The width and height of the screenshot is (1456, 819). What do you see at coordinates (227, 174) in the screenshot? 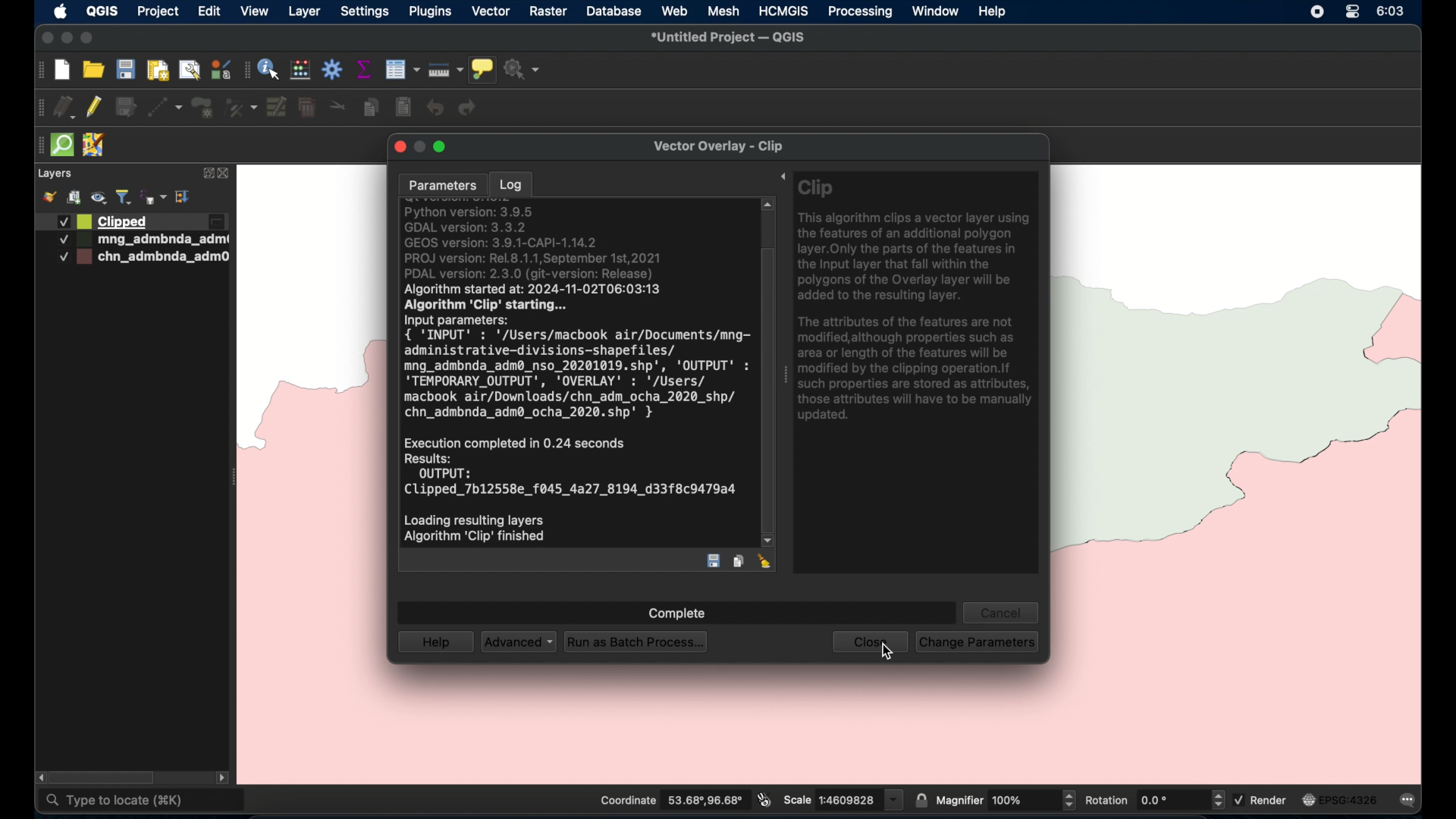
I see `close` at bounding box center [227, 174].